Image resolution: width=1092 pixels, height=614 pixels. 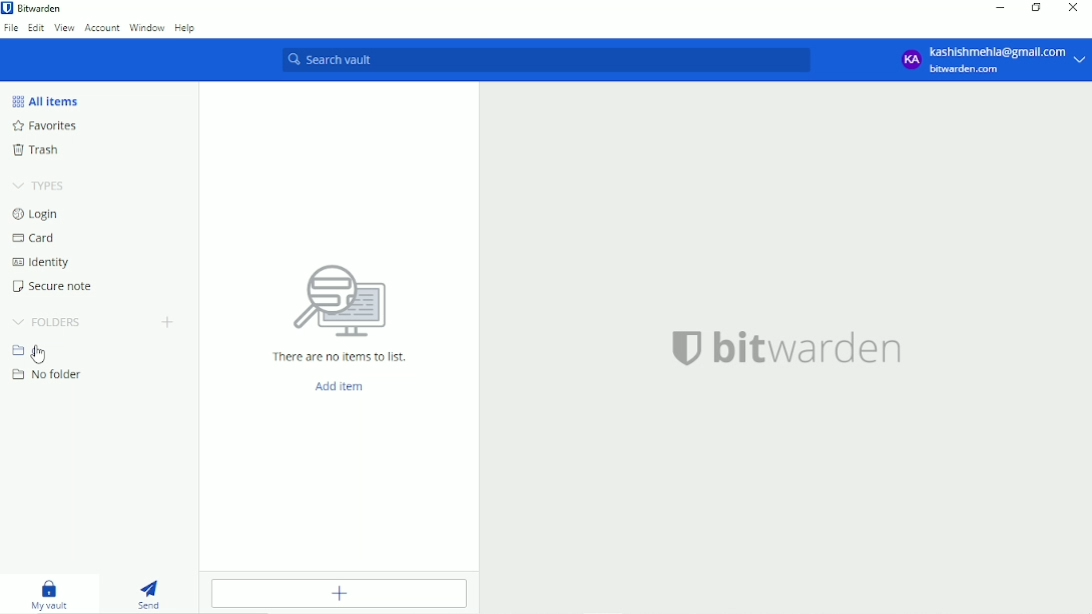 What do you see at coordinates (38, 186) in the screenshot?
I see `Types` at bounding box center [38, 186].